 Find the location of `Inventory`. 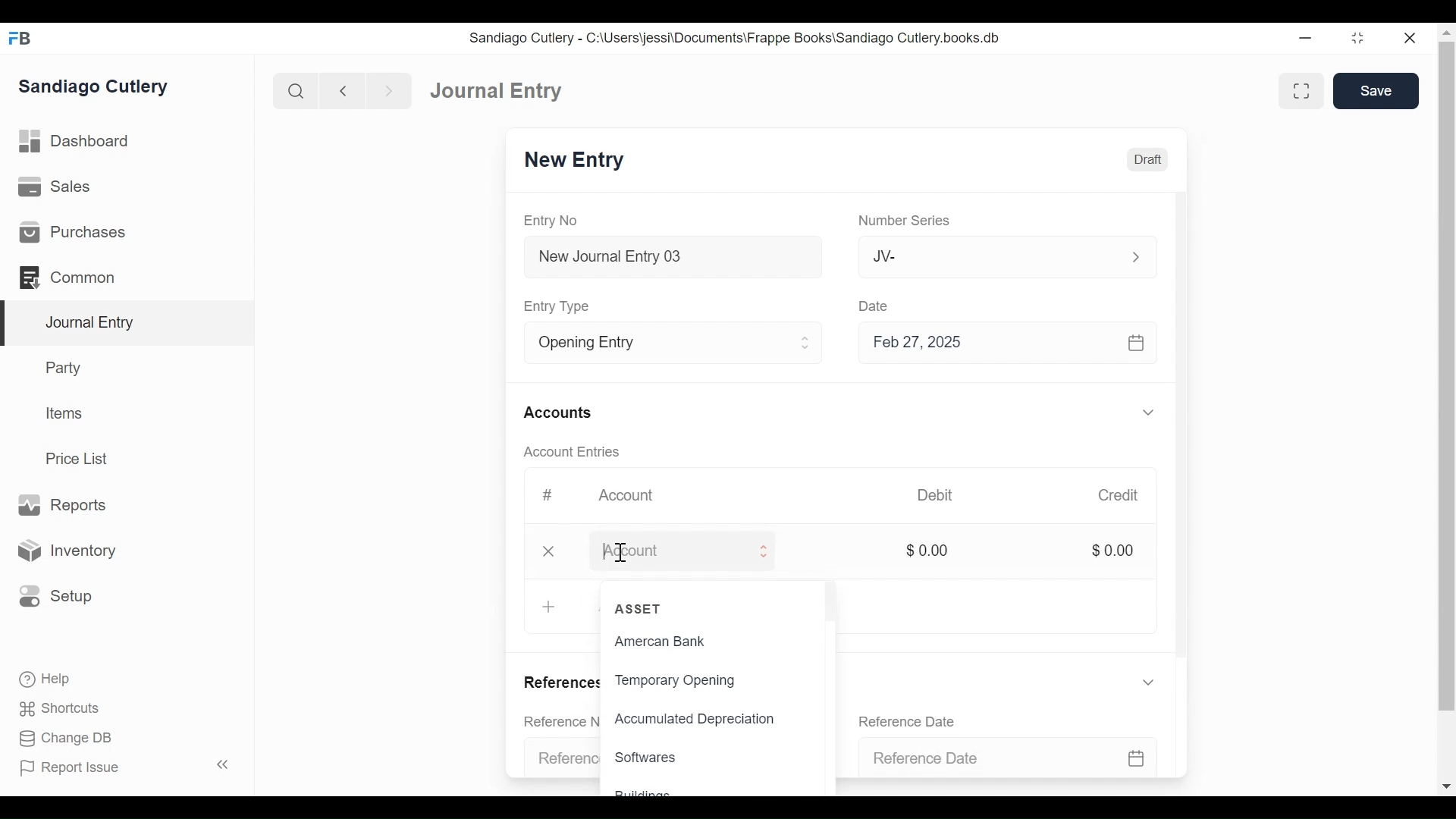

Inventory is located at coordinates (65, 550).